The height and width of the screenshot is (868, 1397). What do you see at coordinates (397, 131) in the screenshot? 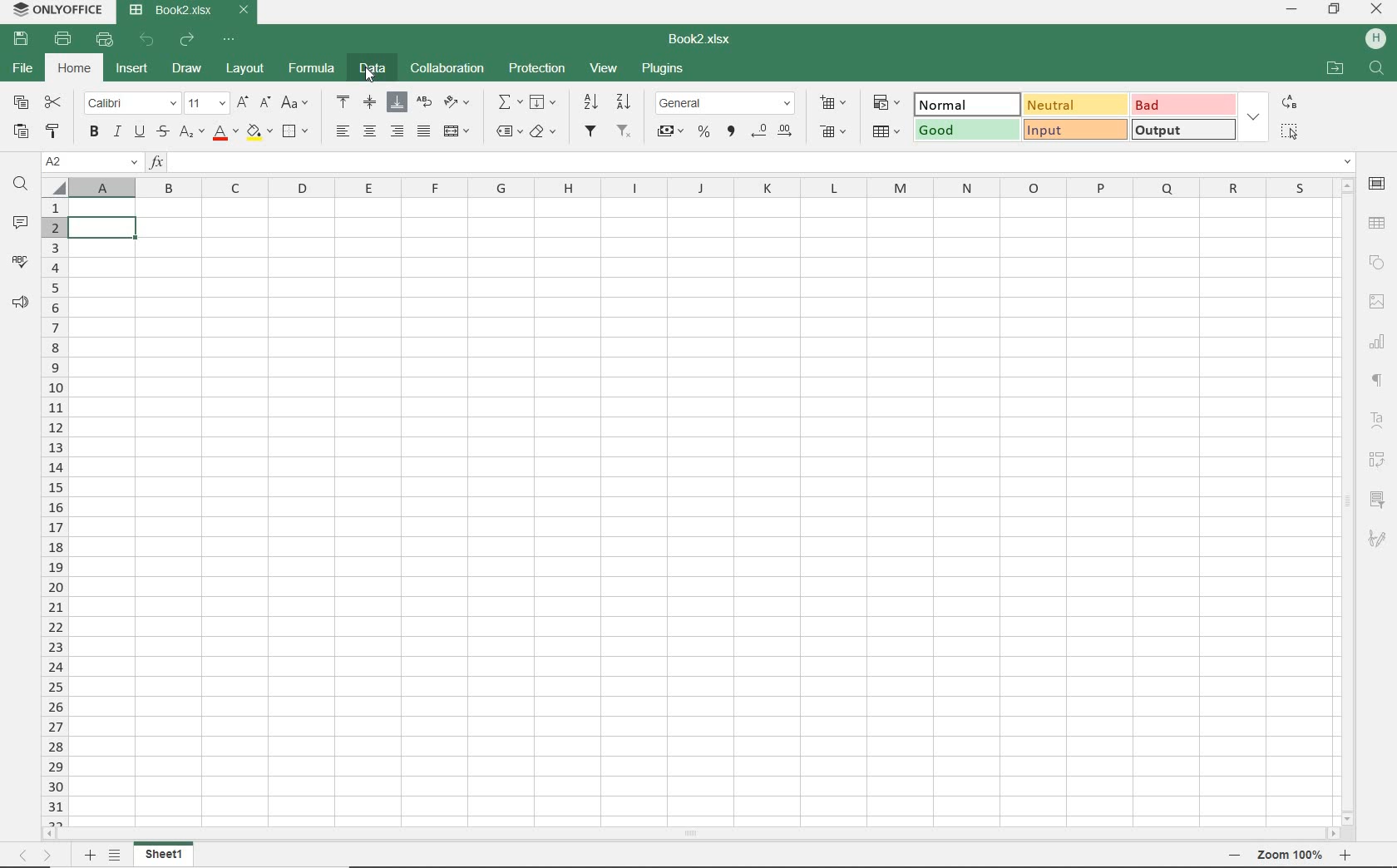
I see `ALIGN RIGHT` at bounding box center [397, 131].